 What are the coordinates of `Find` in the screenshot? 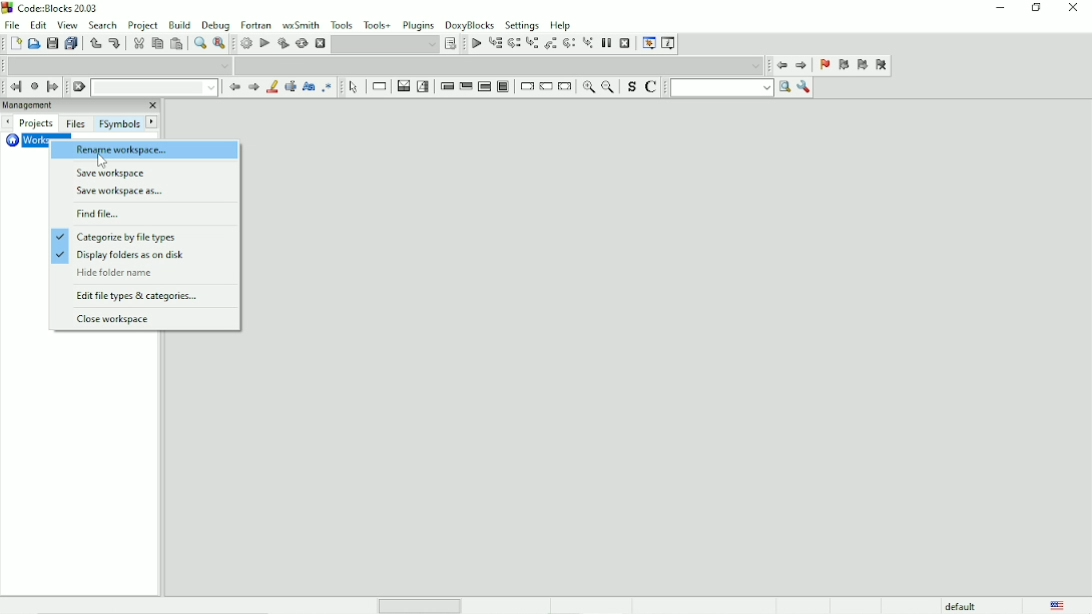 It's located at (198, 44).